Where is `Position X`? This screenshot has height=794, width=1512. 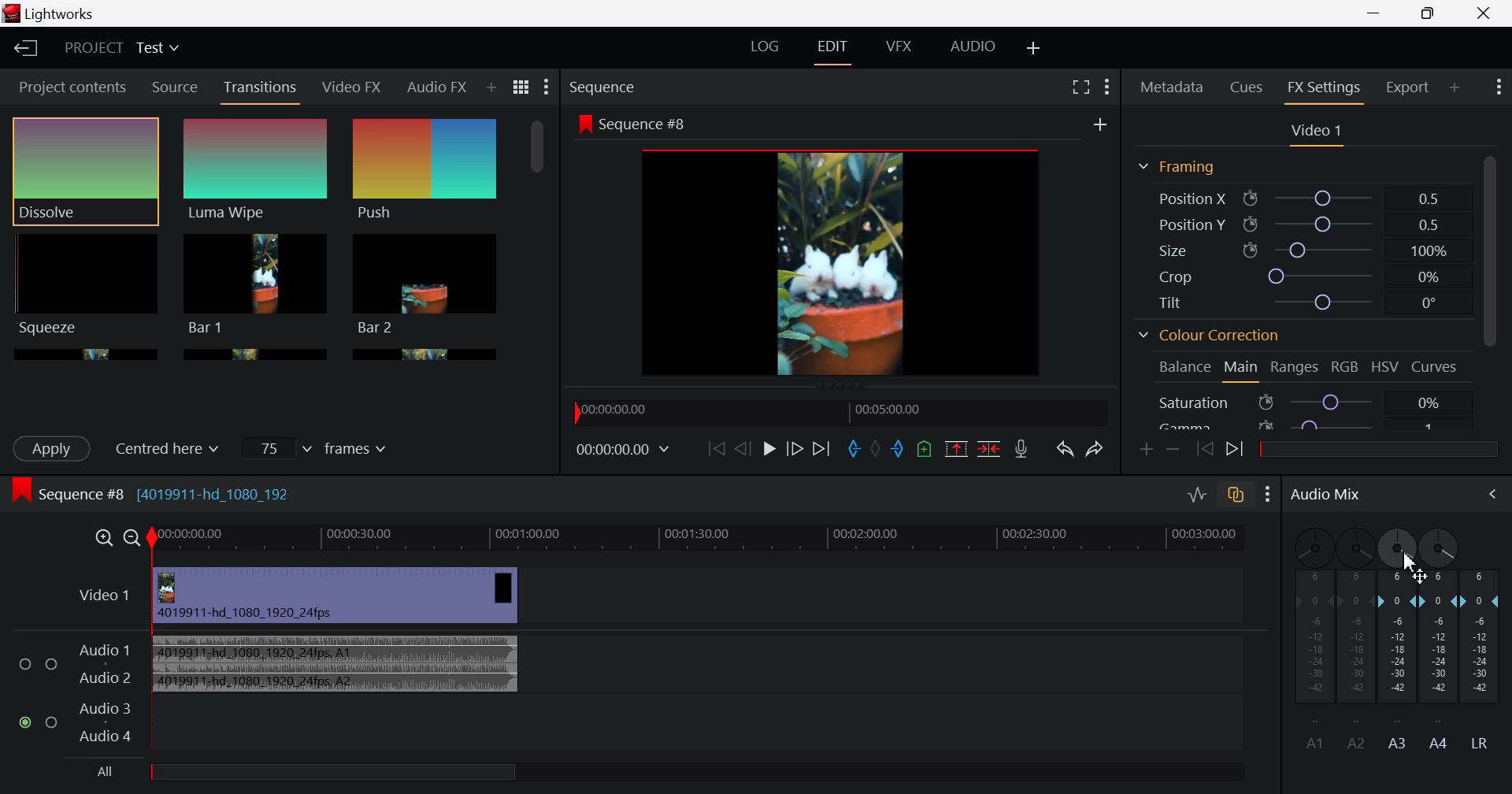
Position X is located at coordinates (1301, 198).